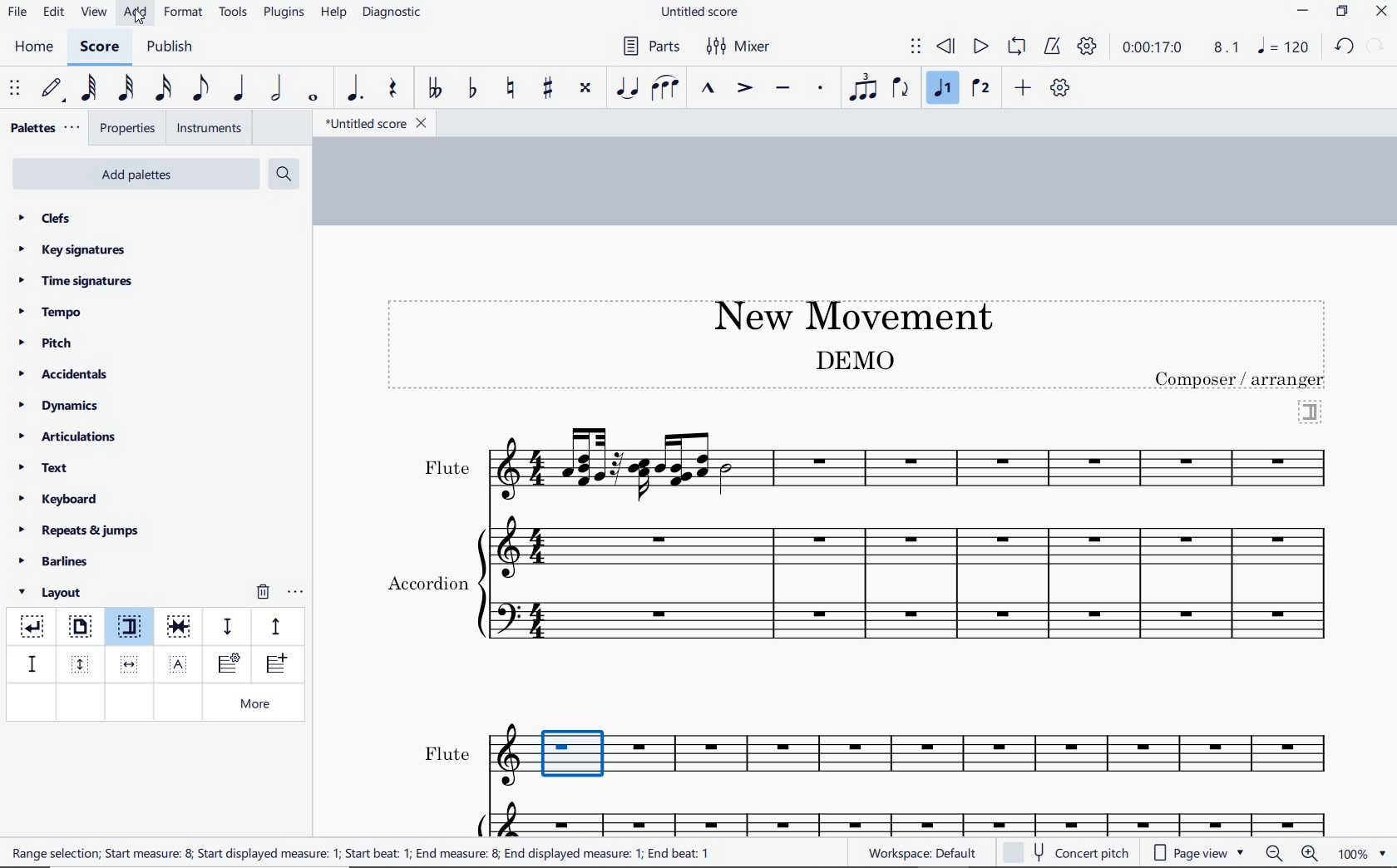 The height and width of the screenshot is (868, 1397). I want to click on time signatures, so click(76, 280).